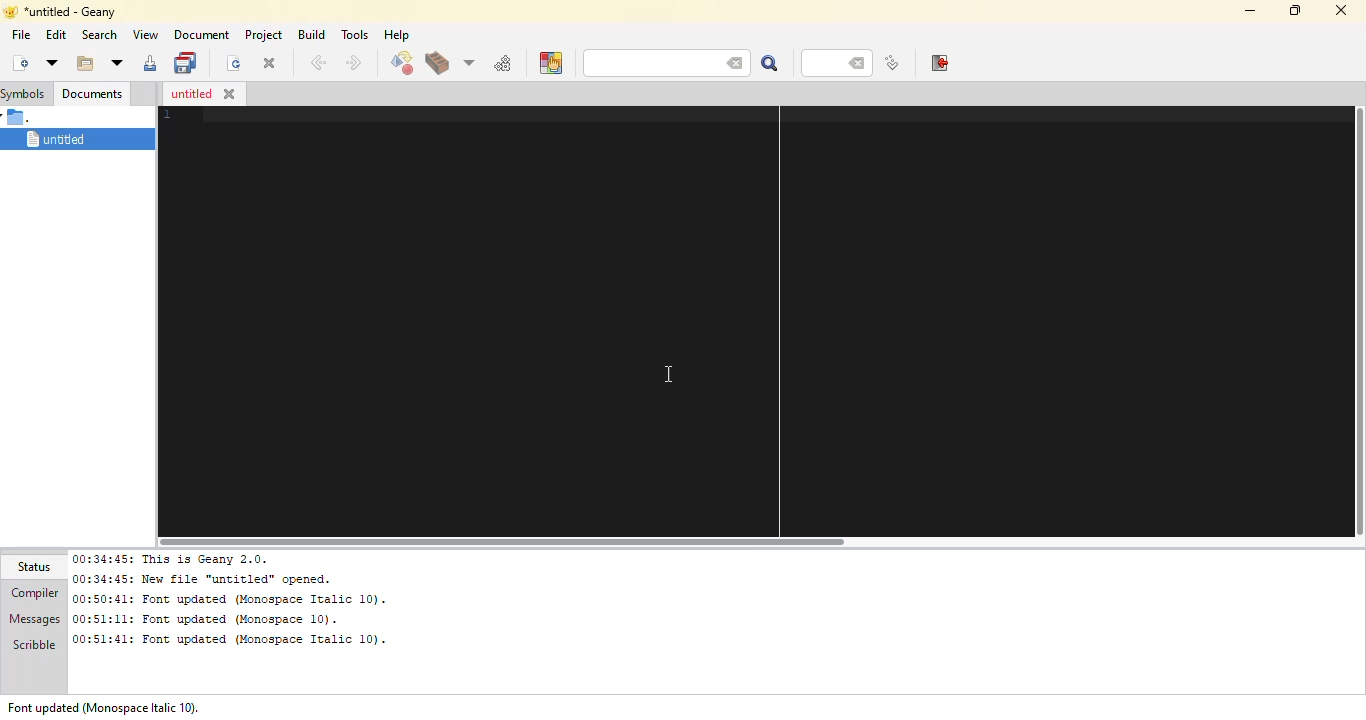 The width and height of the screenshot is (1366, 720). I want to click on status, so click(38, 567).